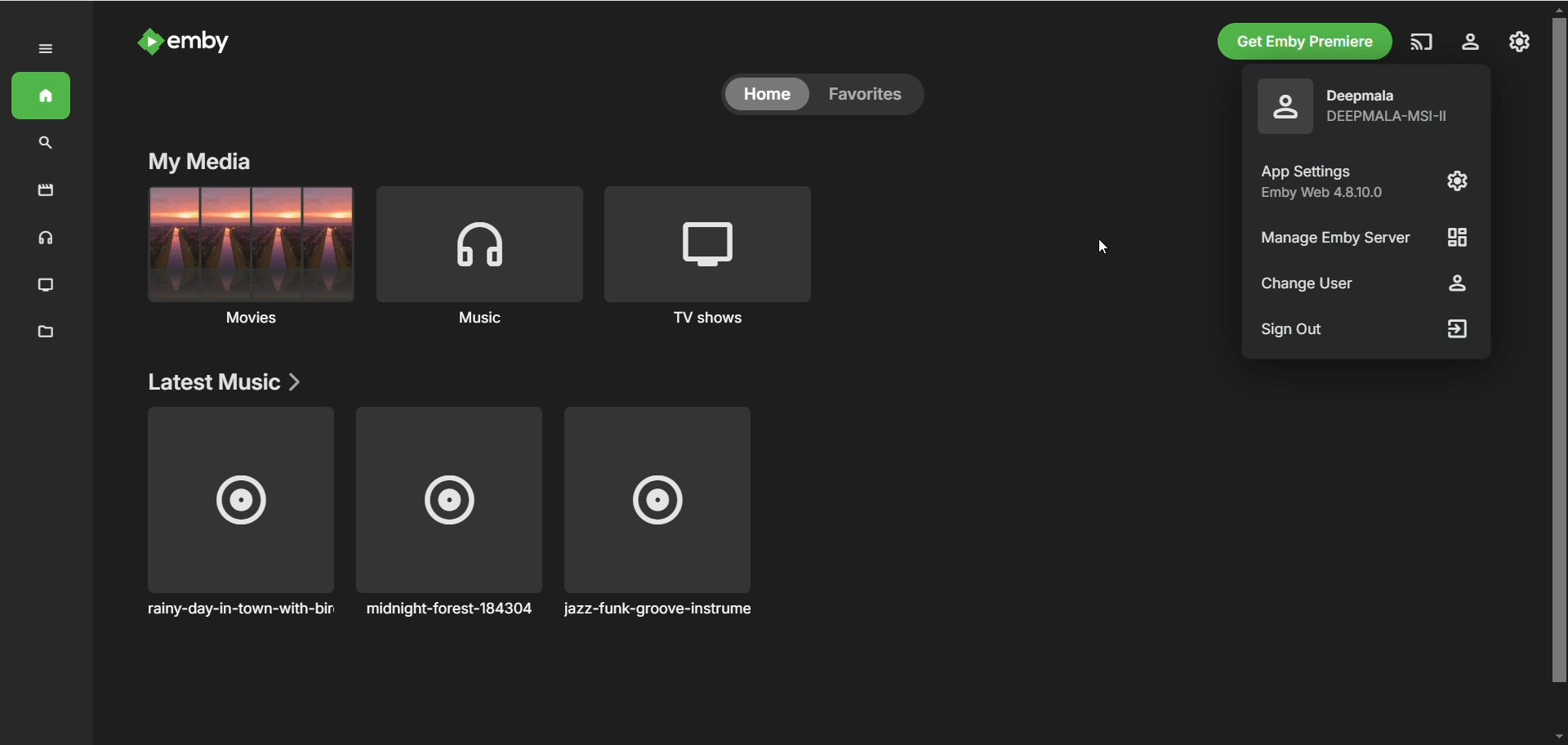  What do you see at coordinates (1363, 331) in the screenshot?
I see `sign out` at bounding box center [1363, 331].